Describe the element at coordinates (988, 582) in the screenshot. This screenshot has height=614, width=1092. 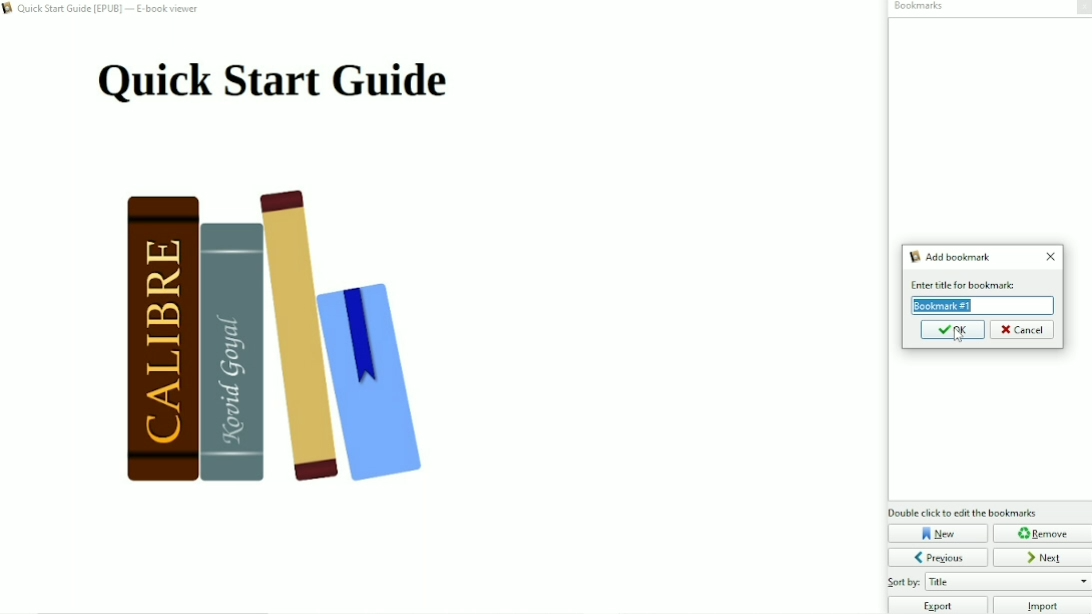
I see `Sort by` at that location.